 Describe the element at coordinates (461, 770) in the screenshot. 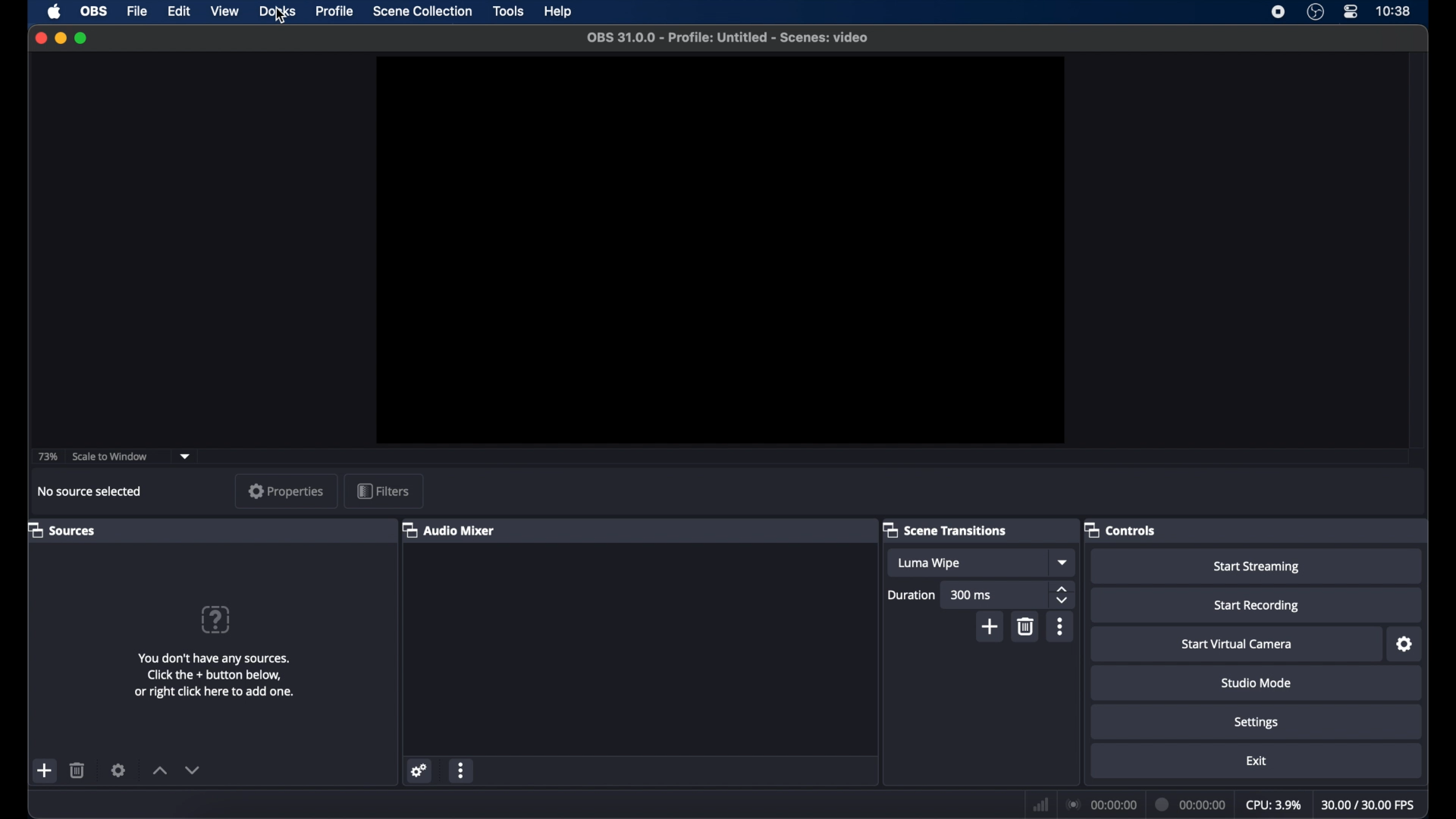

I see `more options` at that location.